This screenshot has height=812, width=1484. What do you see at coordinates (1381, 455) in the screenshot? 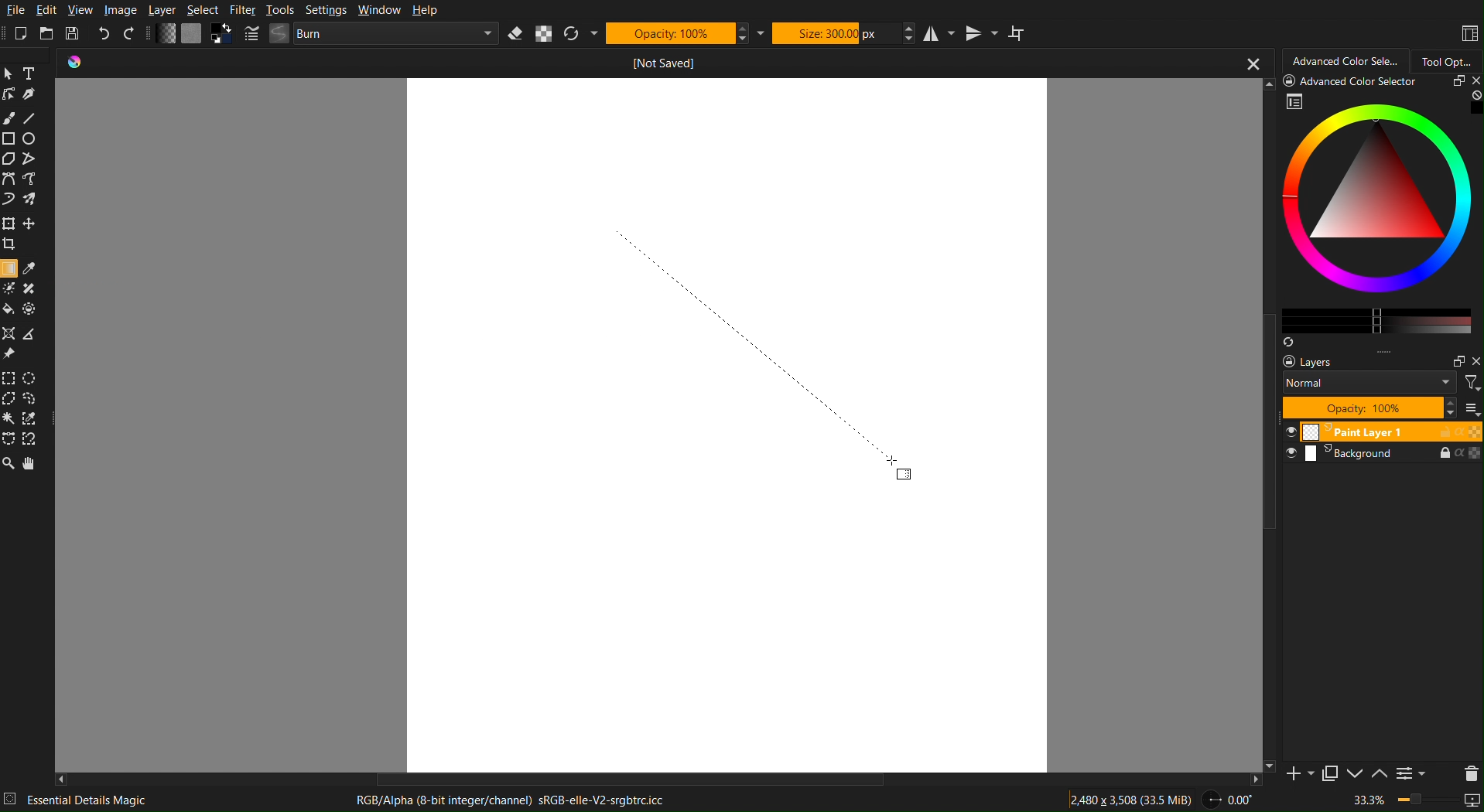
I see `Background` at bounding box center [1381, 455].